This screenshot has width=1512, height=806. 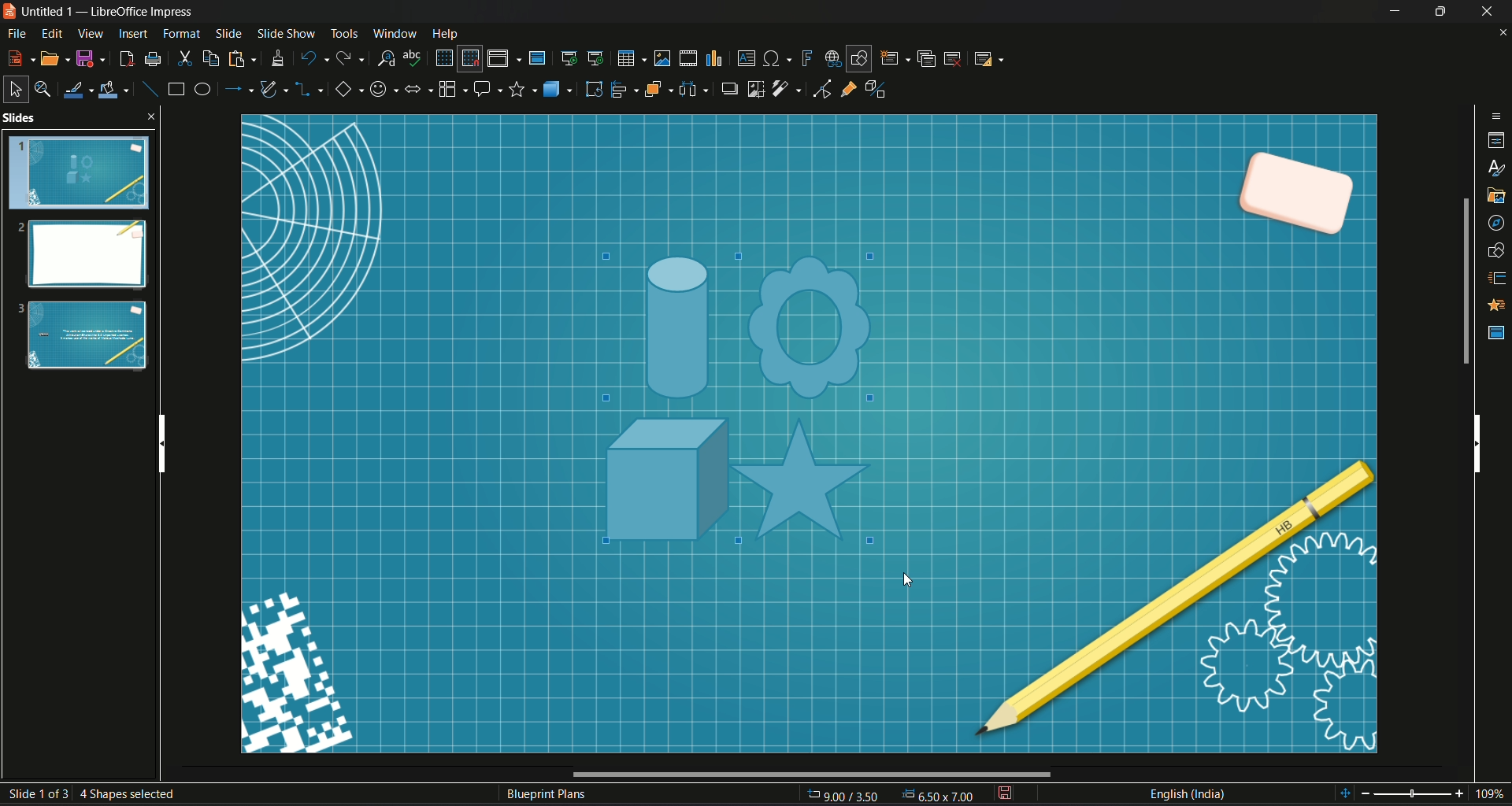 I want to click on crop image, so click(x=757, y=88).